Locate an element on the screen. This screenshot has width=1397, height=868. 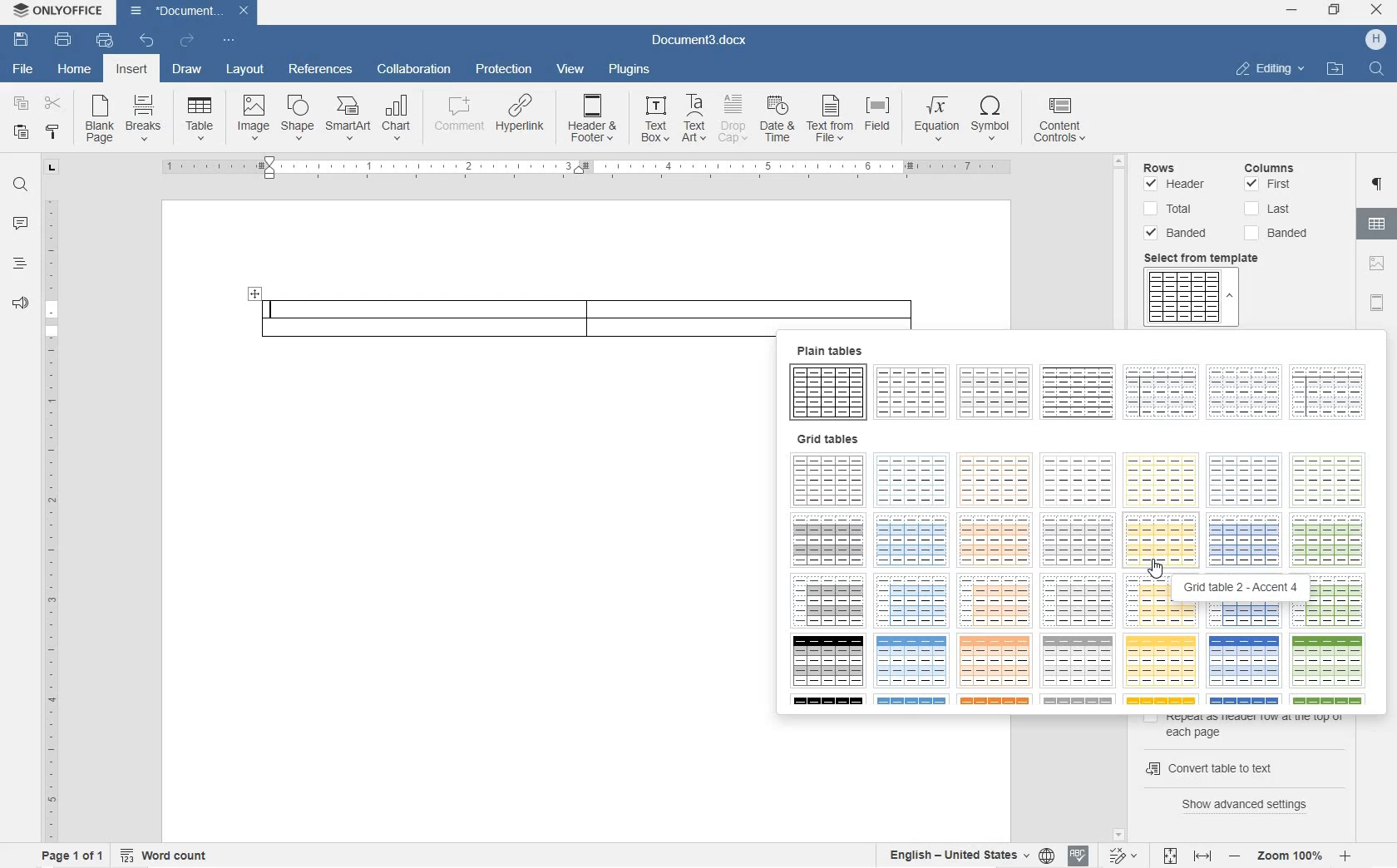
show advanced settings is located at coordinates (1251, 804).